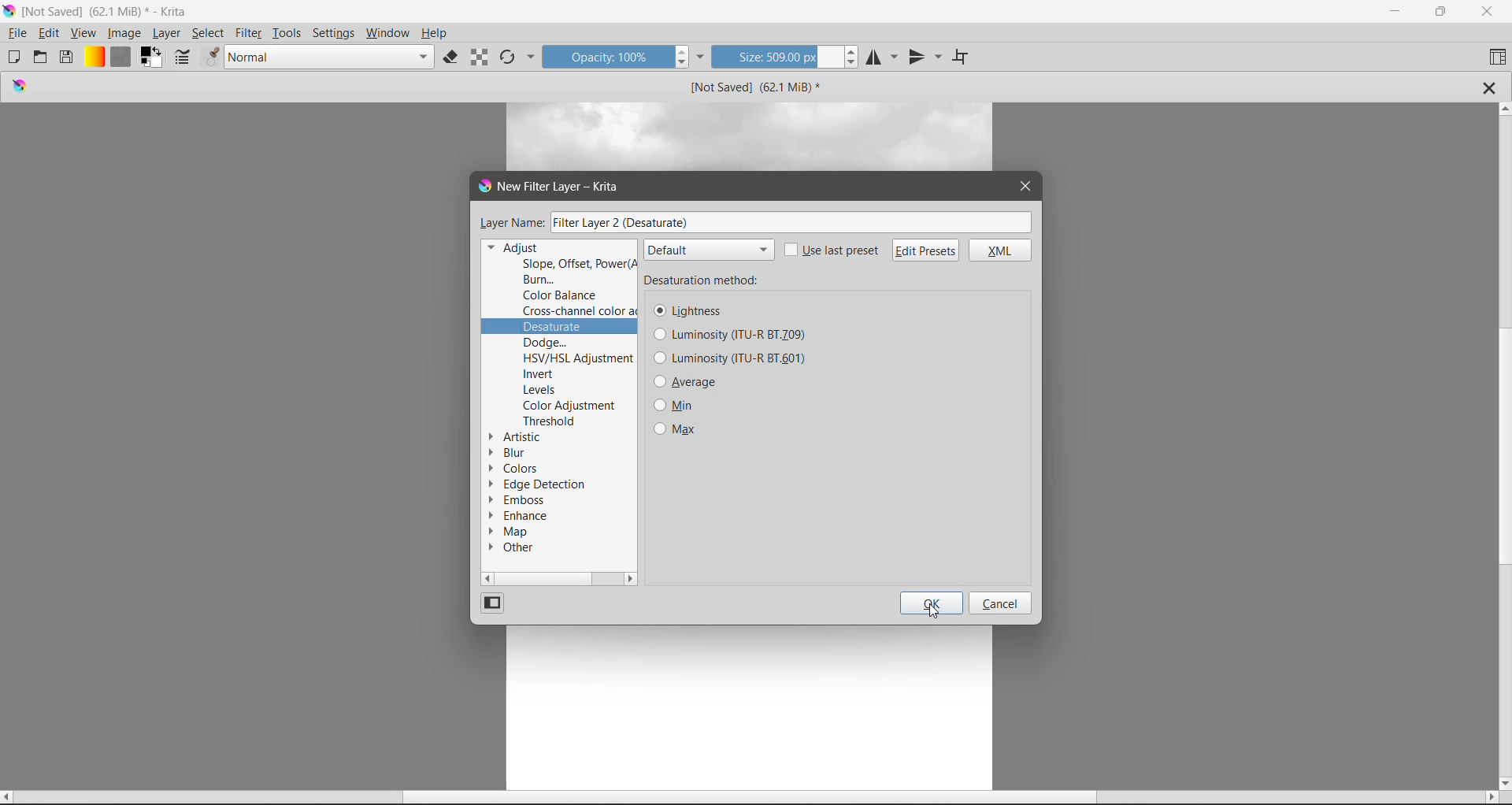  I want to click on Edit, so click(50, 33).